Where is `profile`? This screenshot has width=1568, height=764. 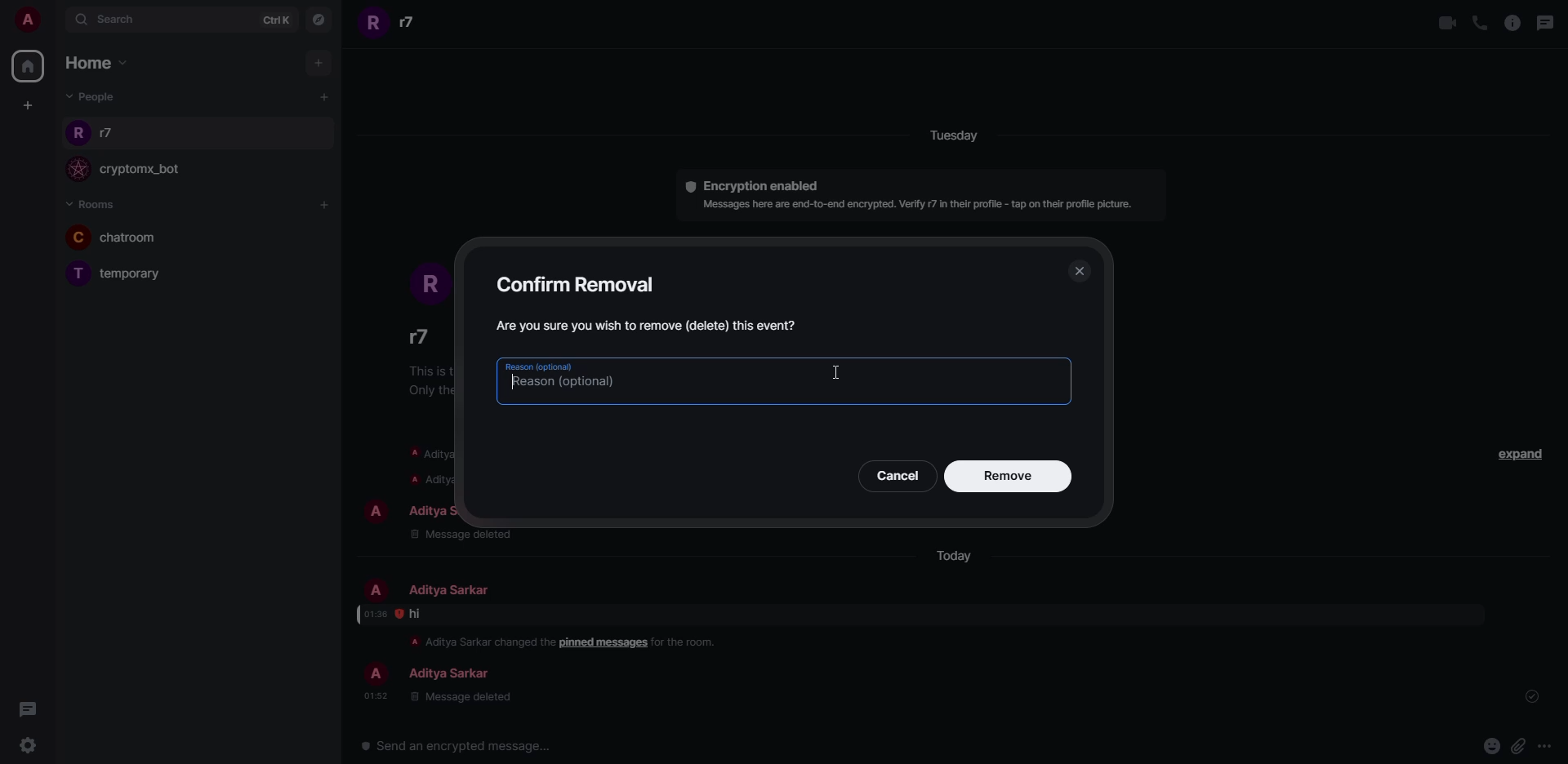 profile is located at coordinates (374, 24).